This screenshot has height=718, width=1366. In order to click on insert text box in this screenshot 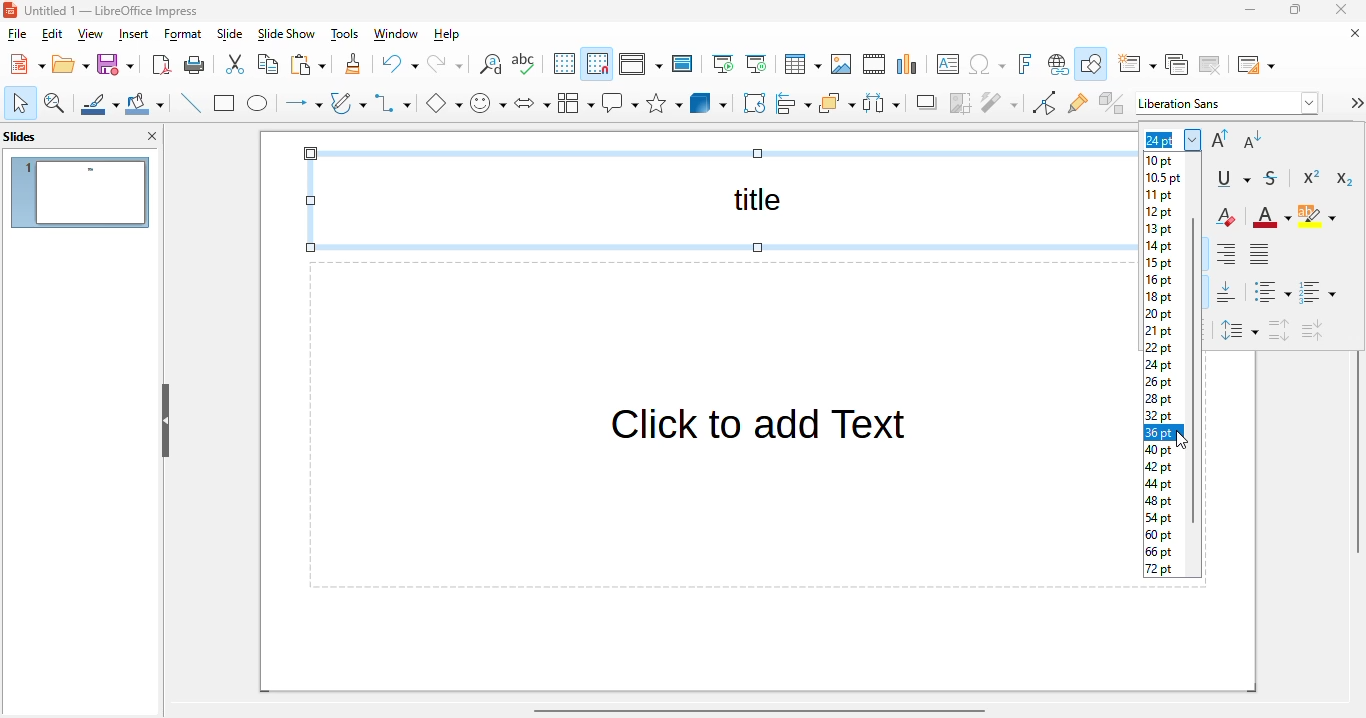, I will do `click(946, 64)`.